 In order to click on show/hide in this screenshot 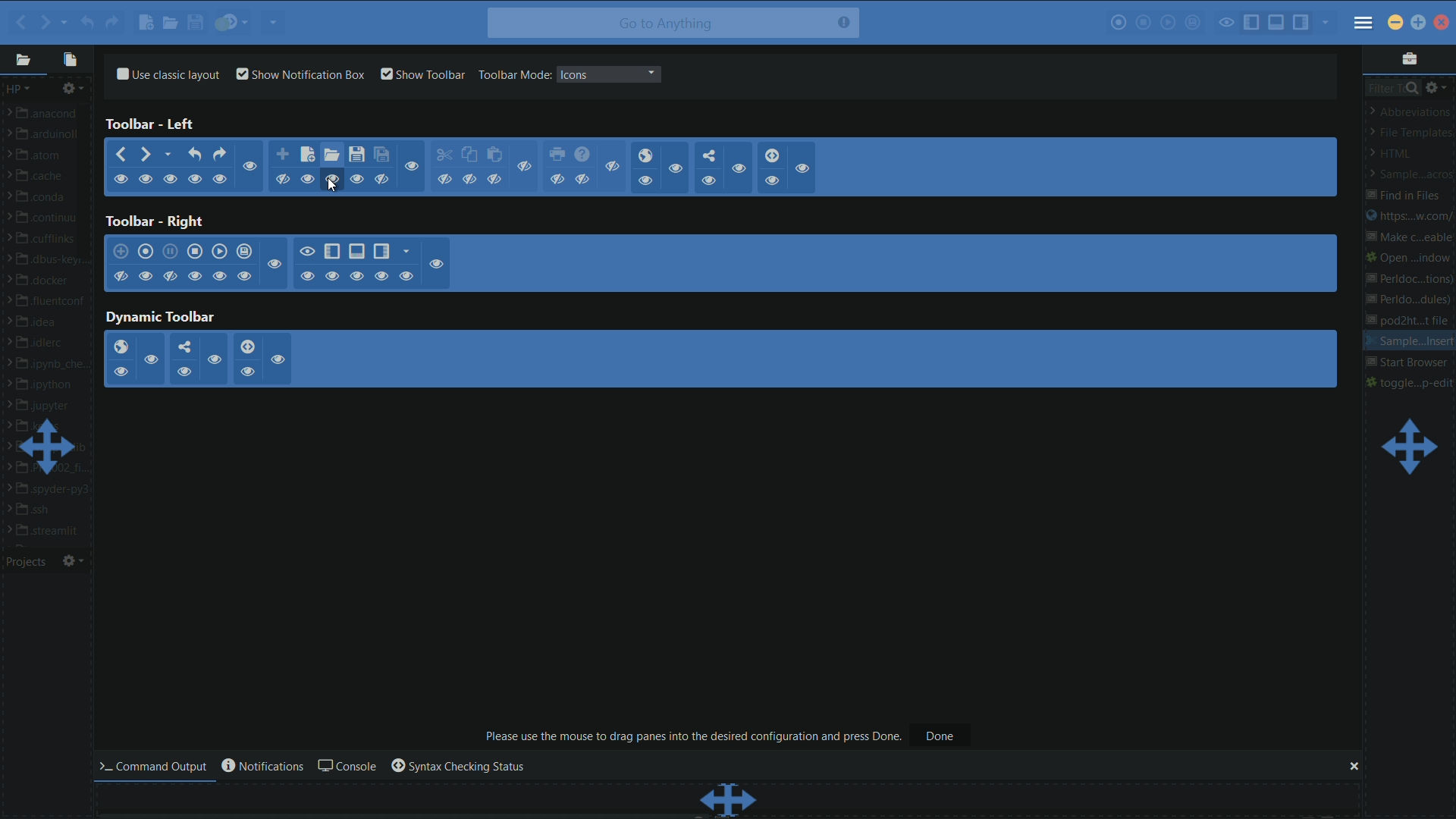, I will do `click(526, 167)`.